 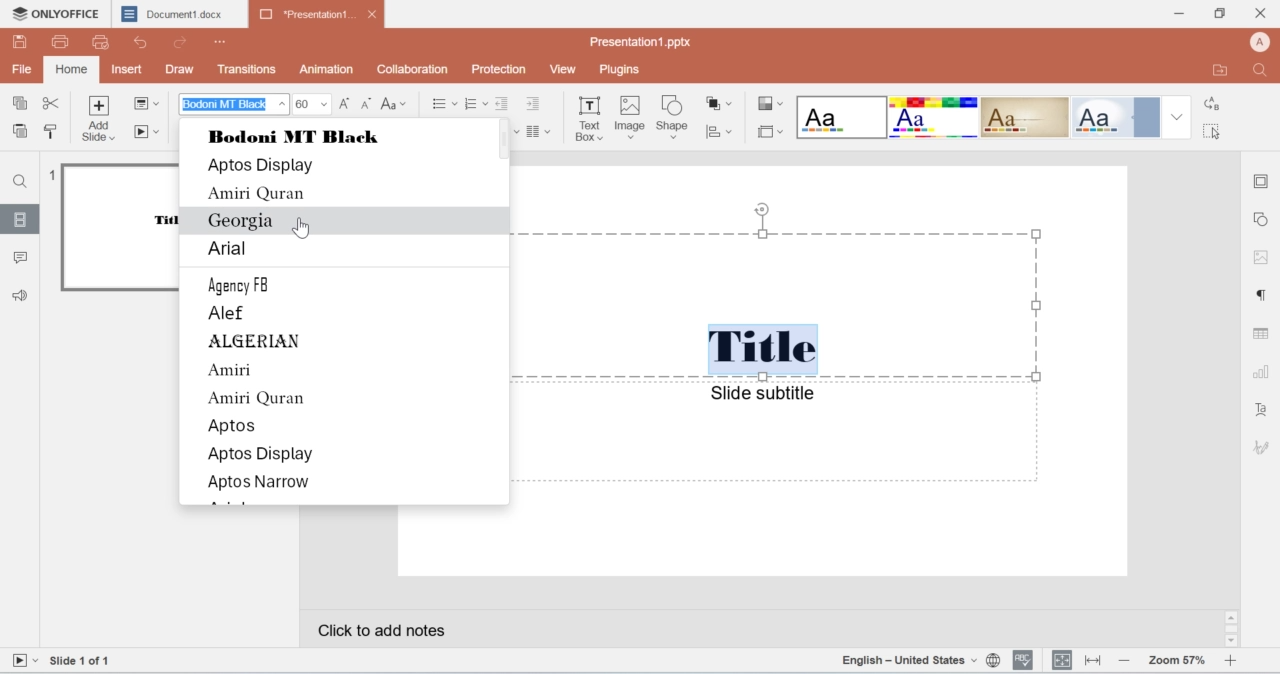 What do you see at coordinates (722, 134) in the screenshot?
I see `graphs` at bounding box center [722, 134].